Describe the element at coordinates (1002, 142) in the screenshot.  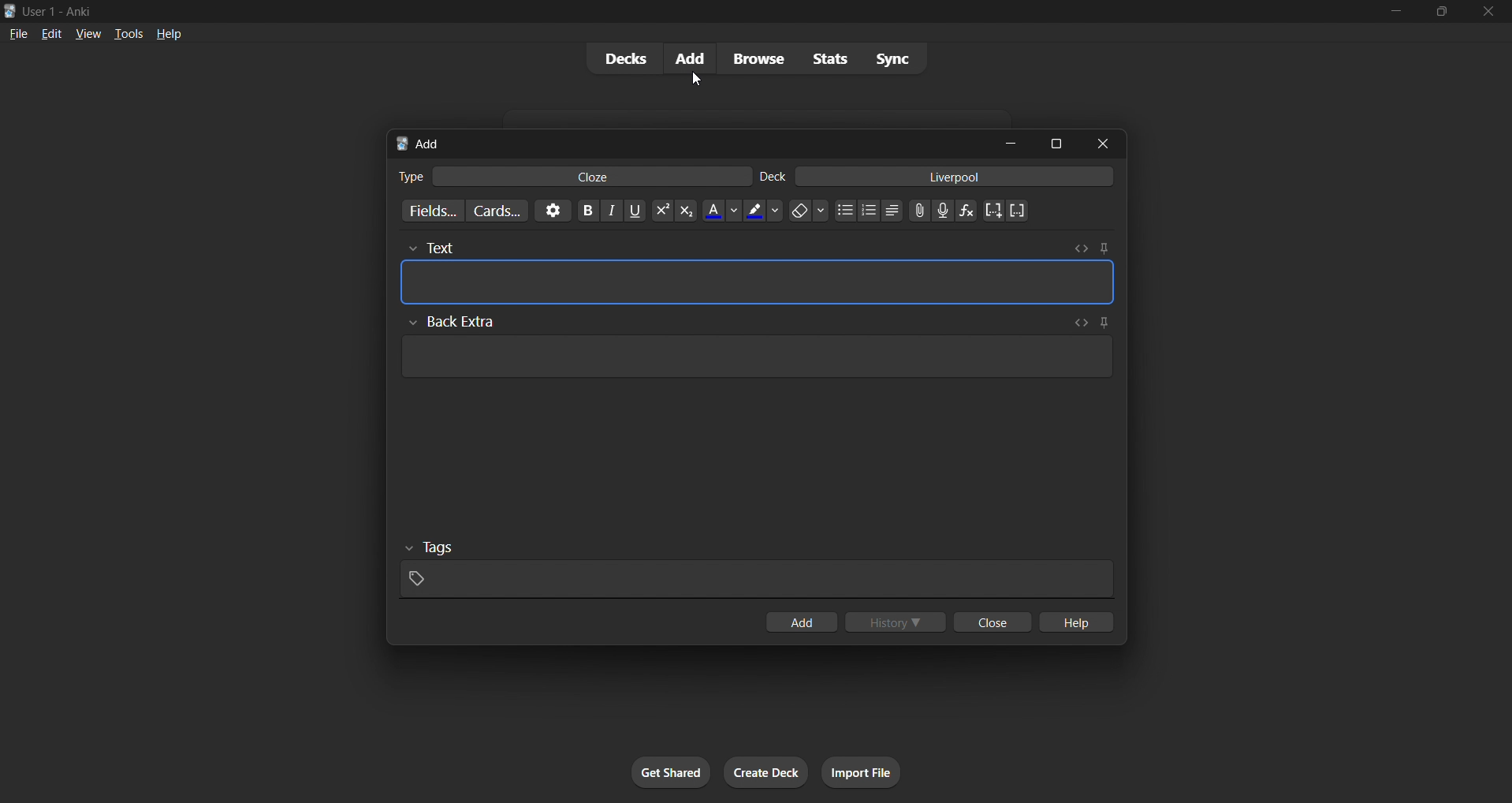
I see `minimize` at that location.